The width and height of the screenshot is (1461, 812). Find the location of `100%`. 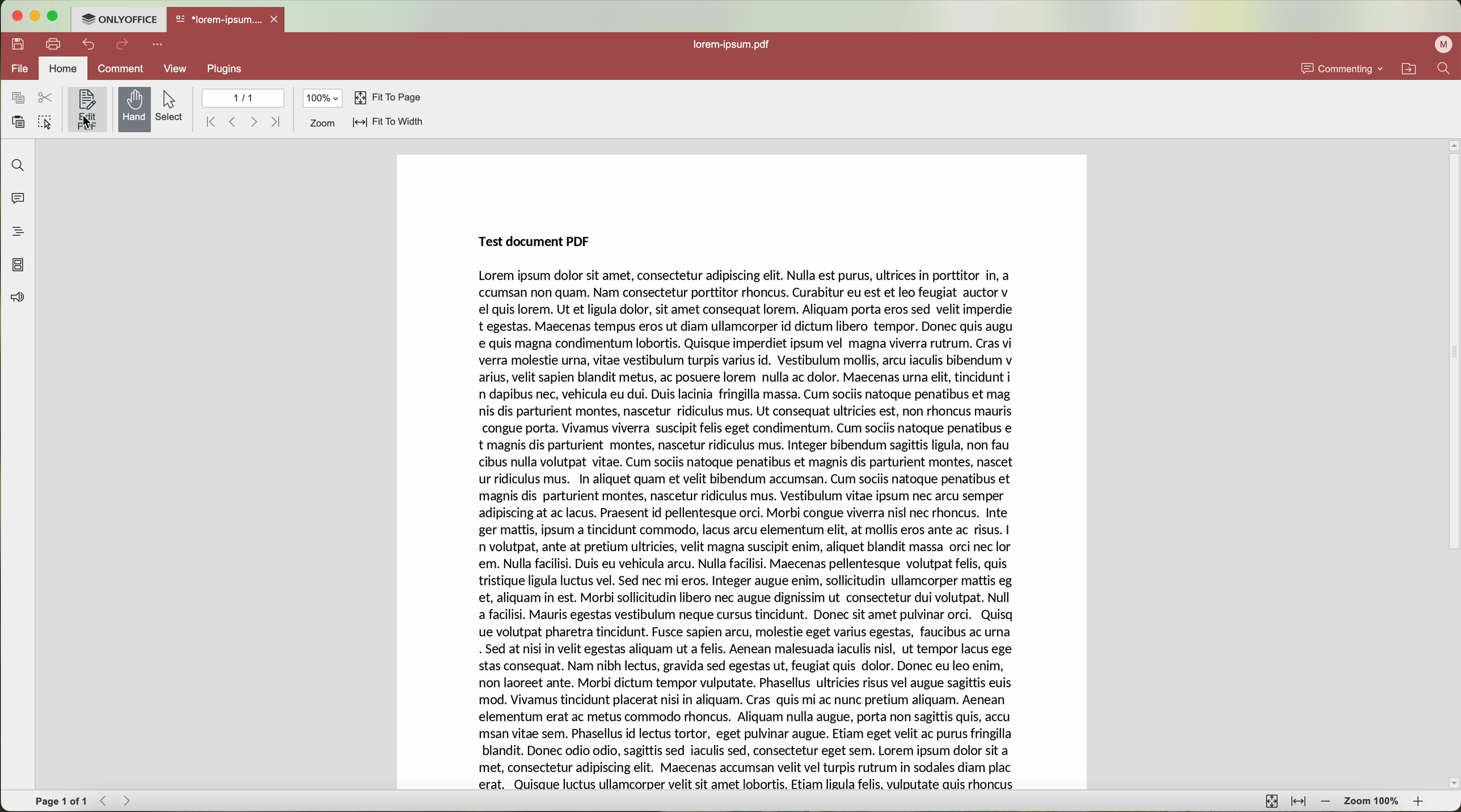

100% is located at coordinates (322, 99).